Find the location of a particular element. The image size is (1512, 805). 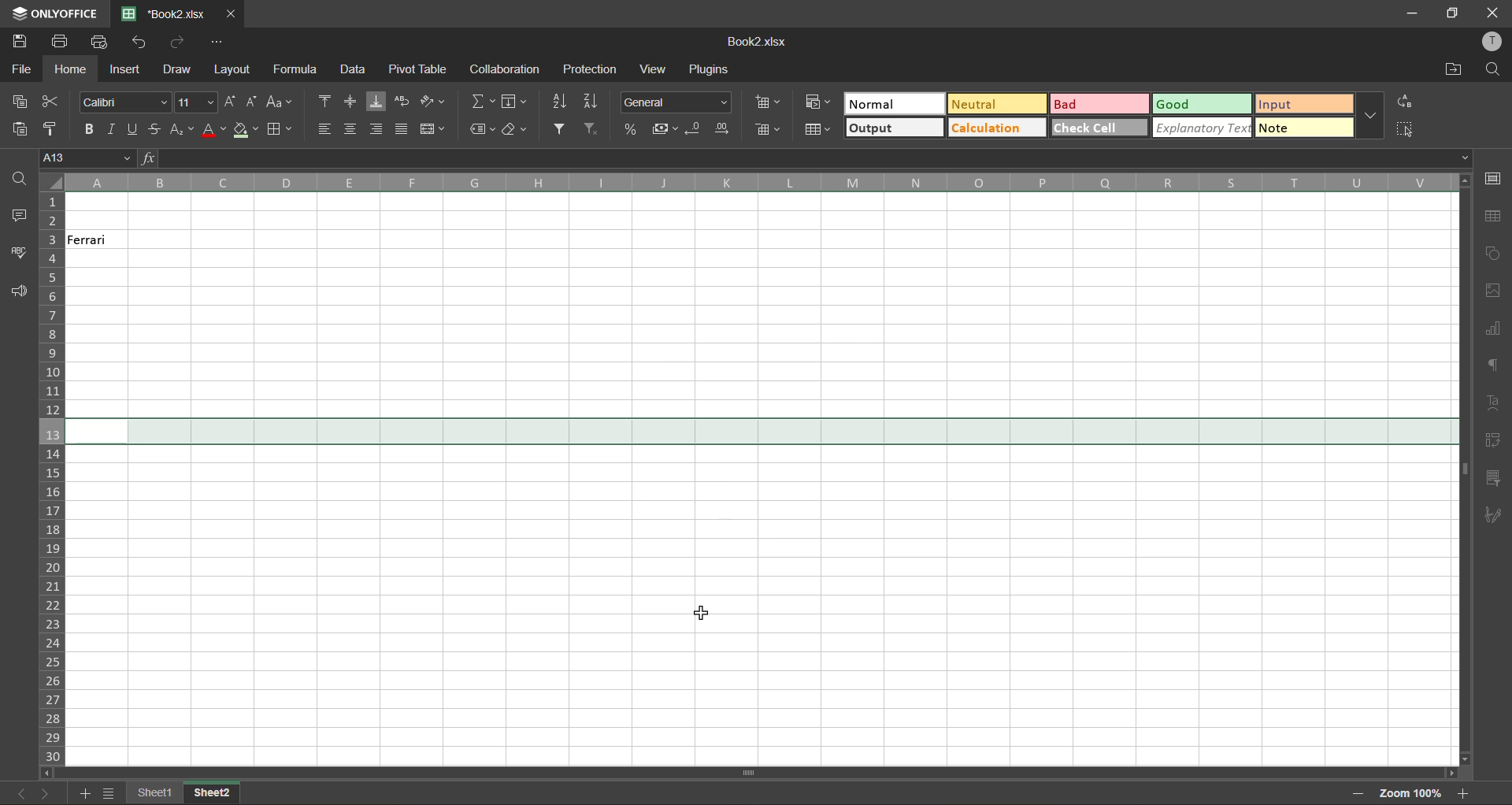

delete cells is located at coordinates (766, 132).